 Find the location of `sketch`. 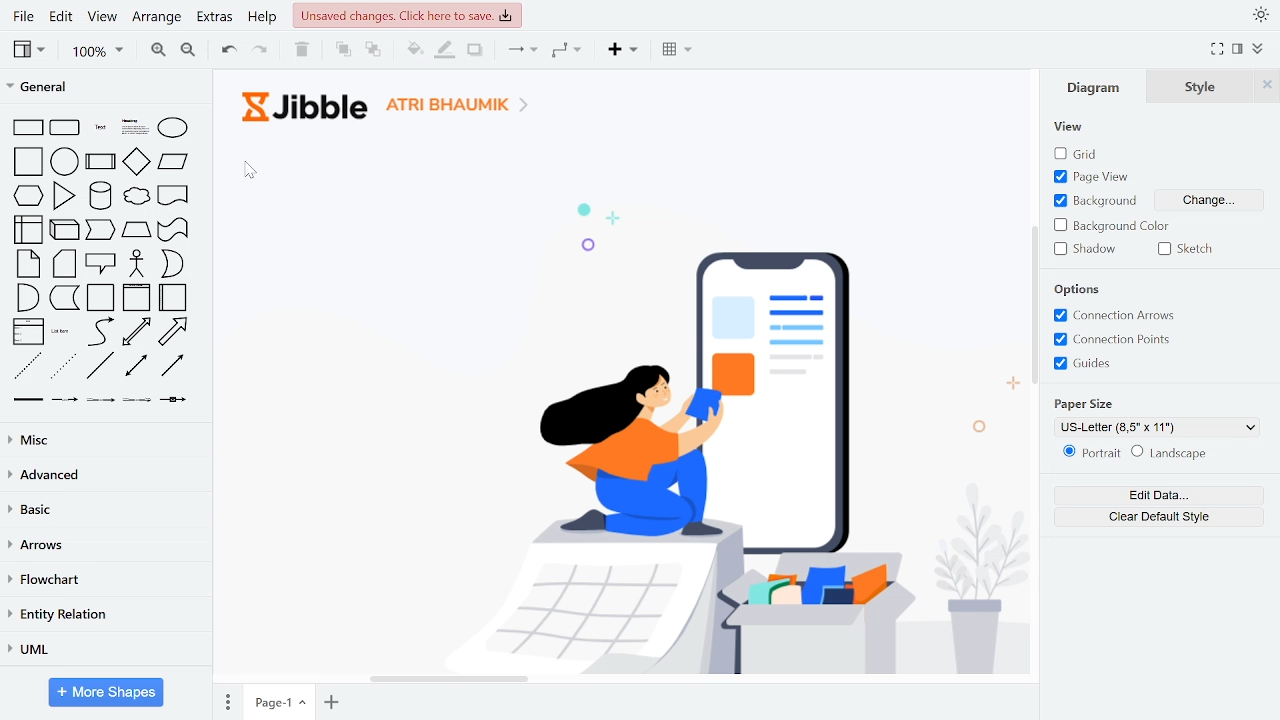

sketch is located at coordinates (1184, 250).